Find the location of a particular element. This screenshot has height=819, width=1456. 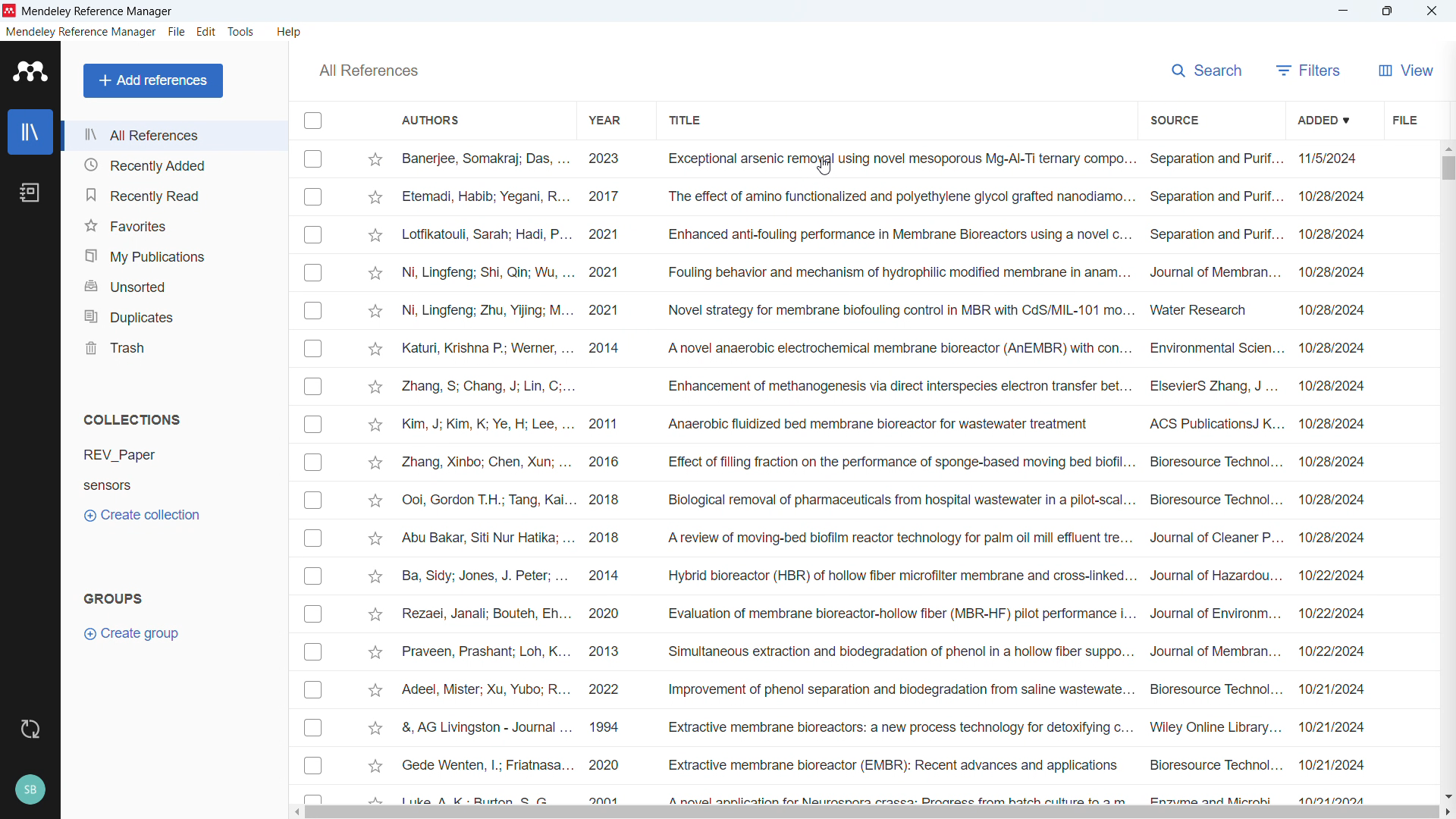

duplicates is located at coordinates (173, 315).